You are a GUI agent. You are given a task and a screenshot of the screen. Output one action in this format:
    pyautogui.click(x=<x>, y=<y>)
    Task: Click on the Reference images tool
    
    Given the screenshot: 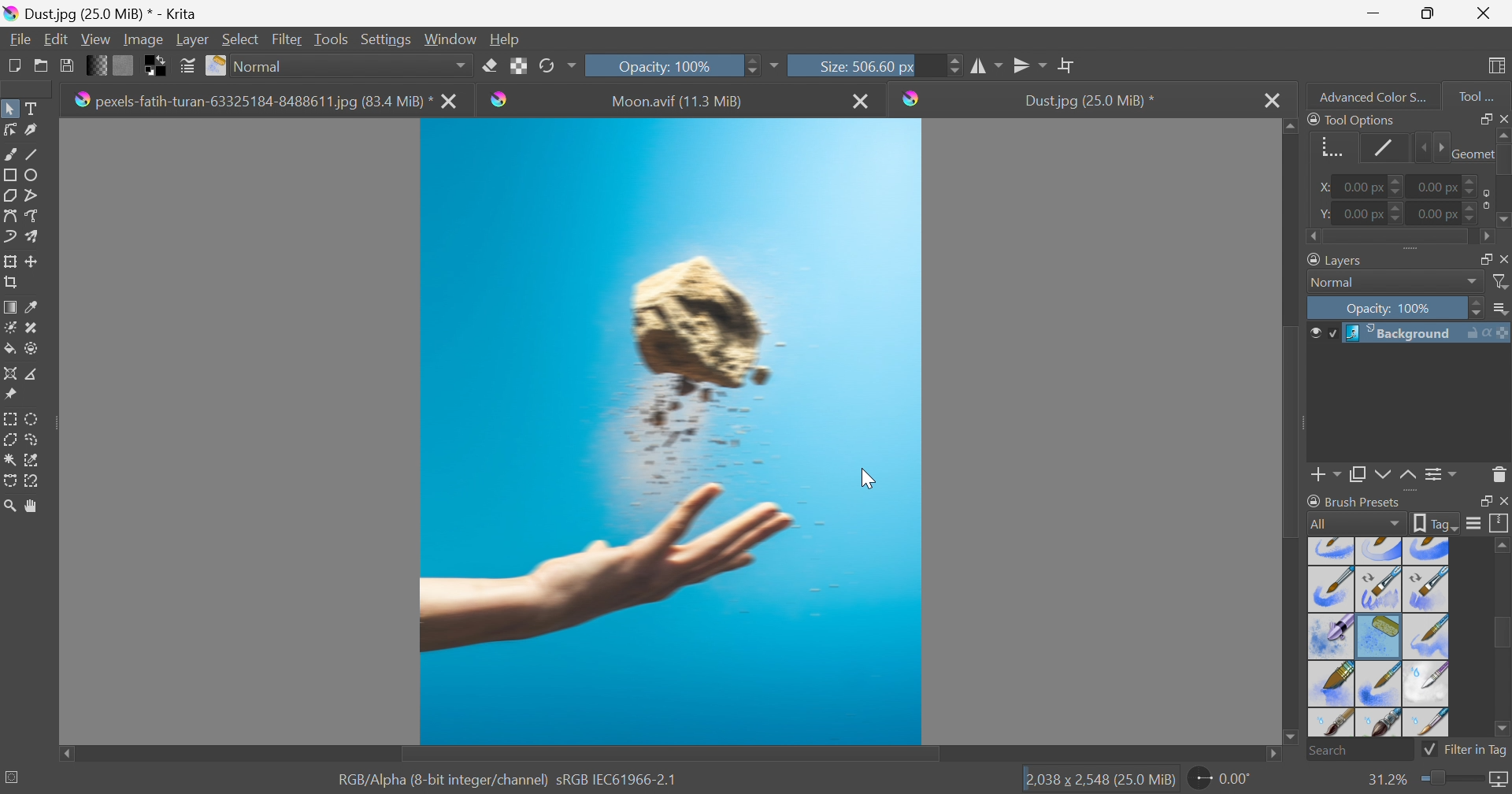 What is the action you would take?
    pyautogui.click(x=9, y=393)
    